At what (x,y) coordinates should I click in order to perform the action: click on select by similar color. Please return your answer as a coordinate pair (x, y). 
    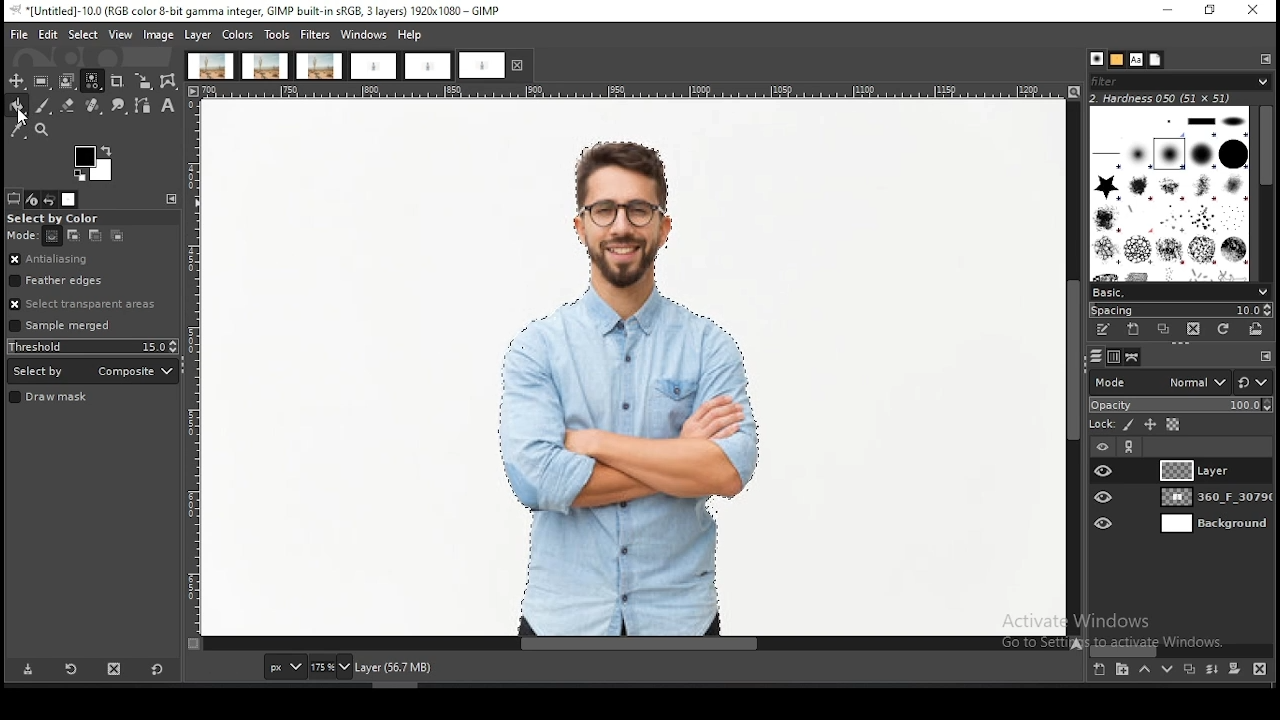
    Looking at the image, I should click on (92, 81).